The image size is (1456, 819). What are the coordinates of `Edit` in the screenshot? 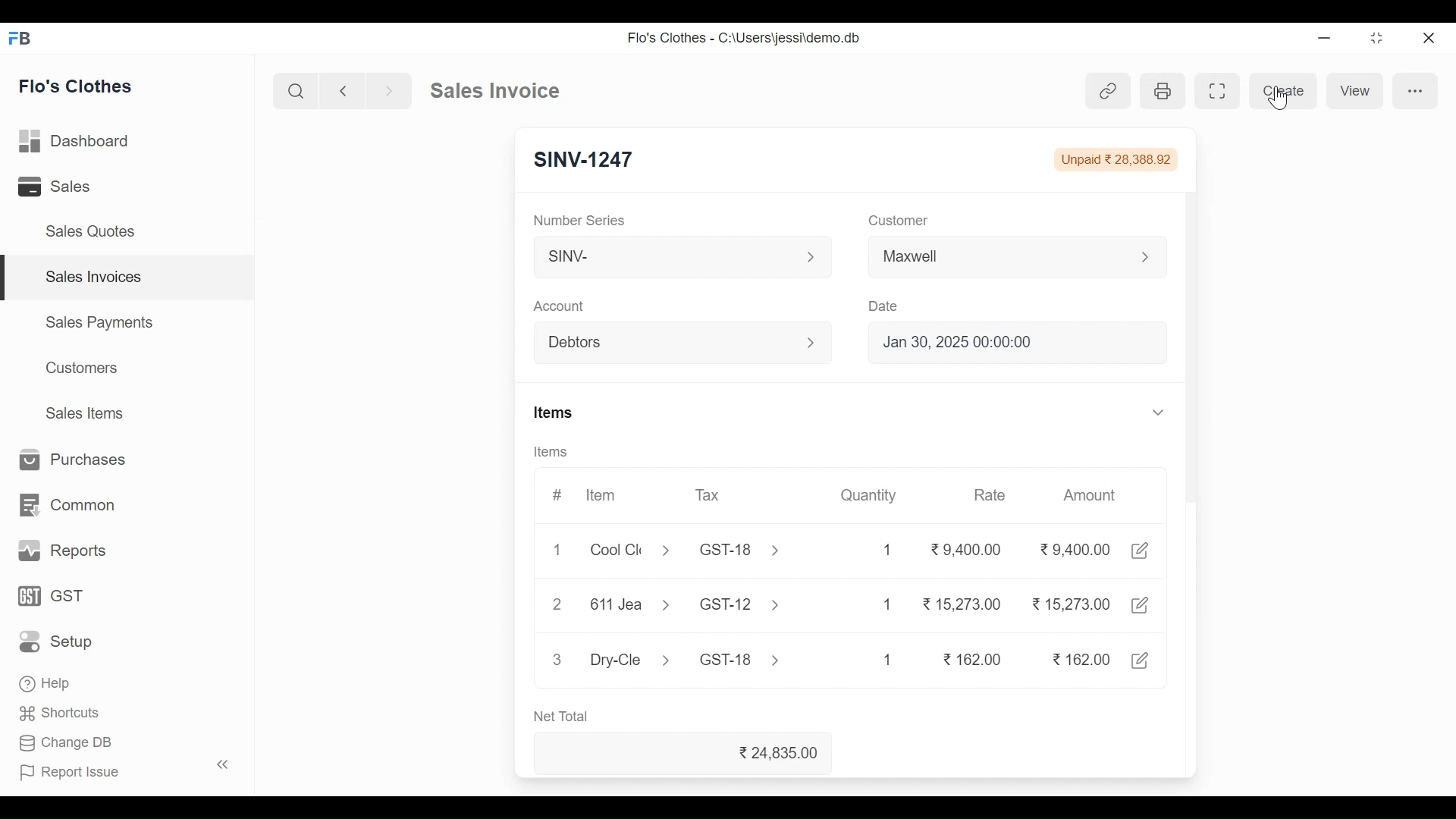 It's located at (1142, 603).